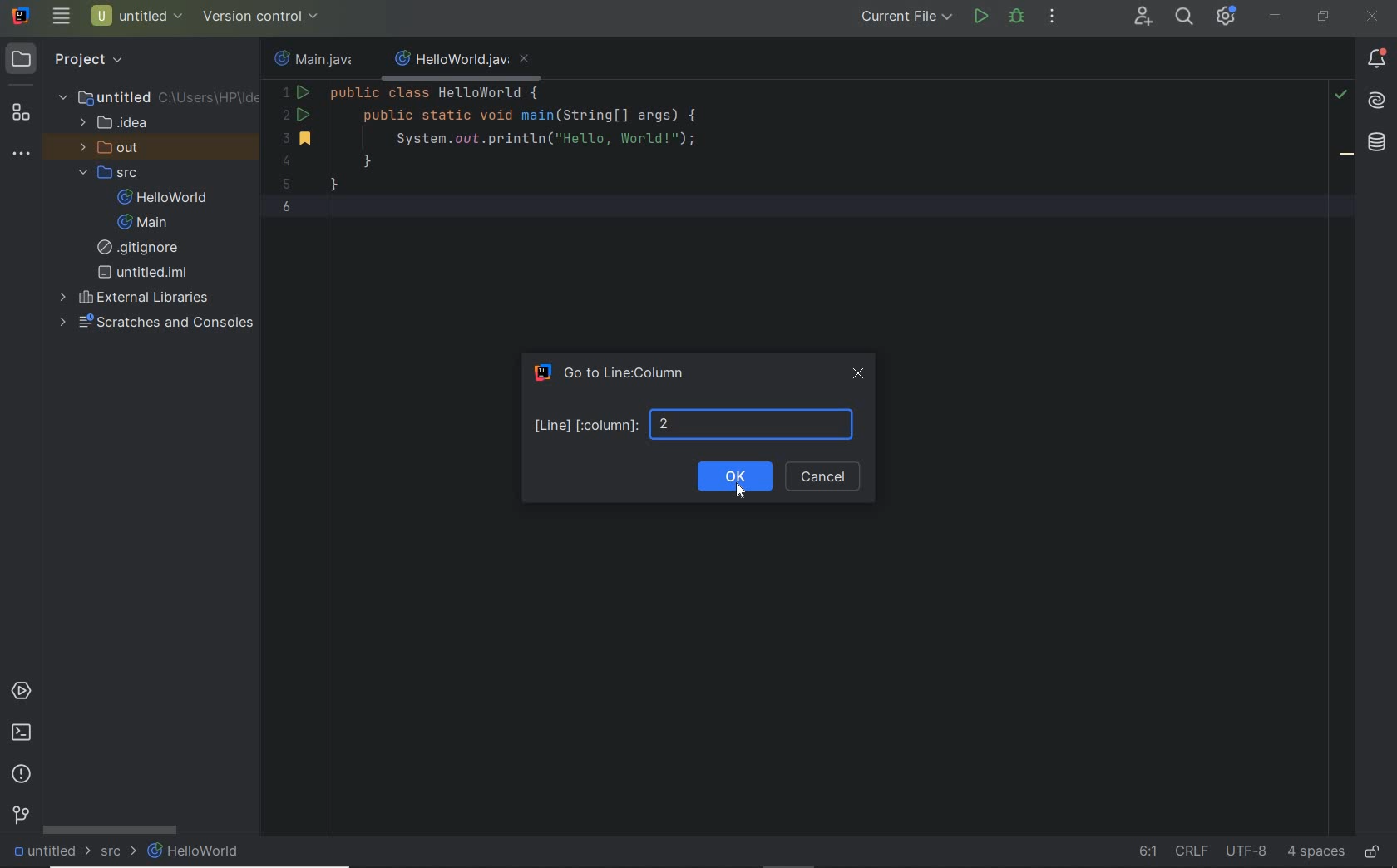 Image resolution: width=1397 pixels, height=868 pixels. I want to click on external Libraries, so click(134, 296).